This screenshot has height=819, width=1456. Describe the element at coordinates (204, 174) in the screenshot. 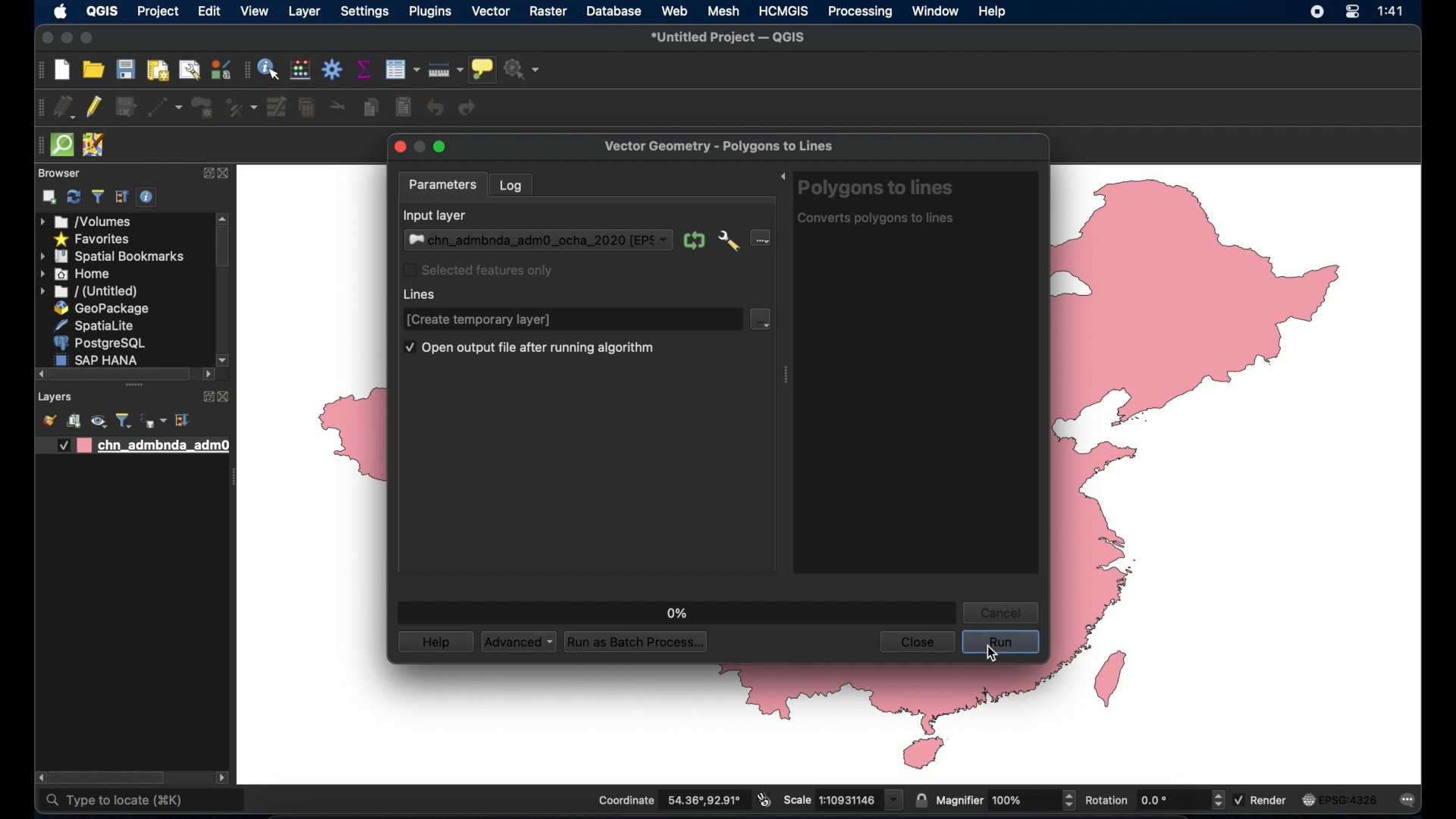

I see `expand` at that location.